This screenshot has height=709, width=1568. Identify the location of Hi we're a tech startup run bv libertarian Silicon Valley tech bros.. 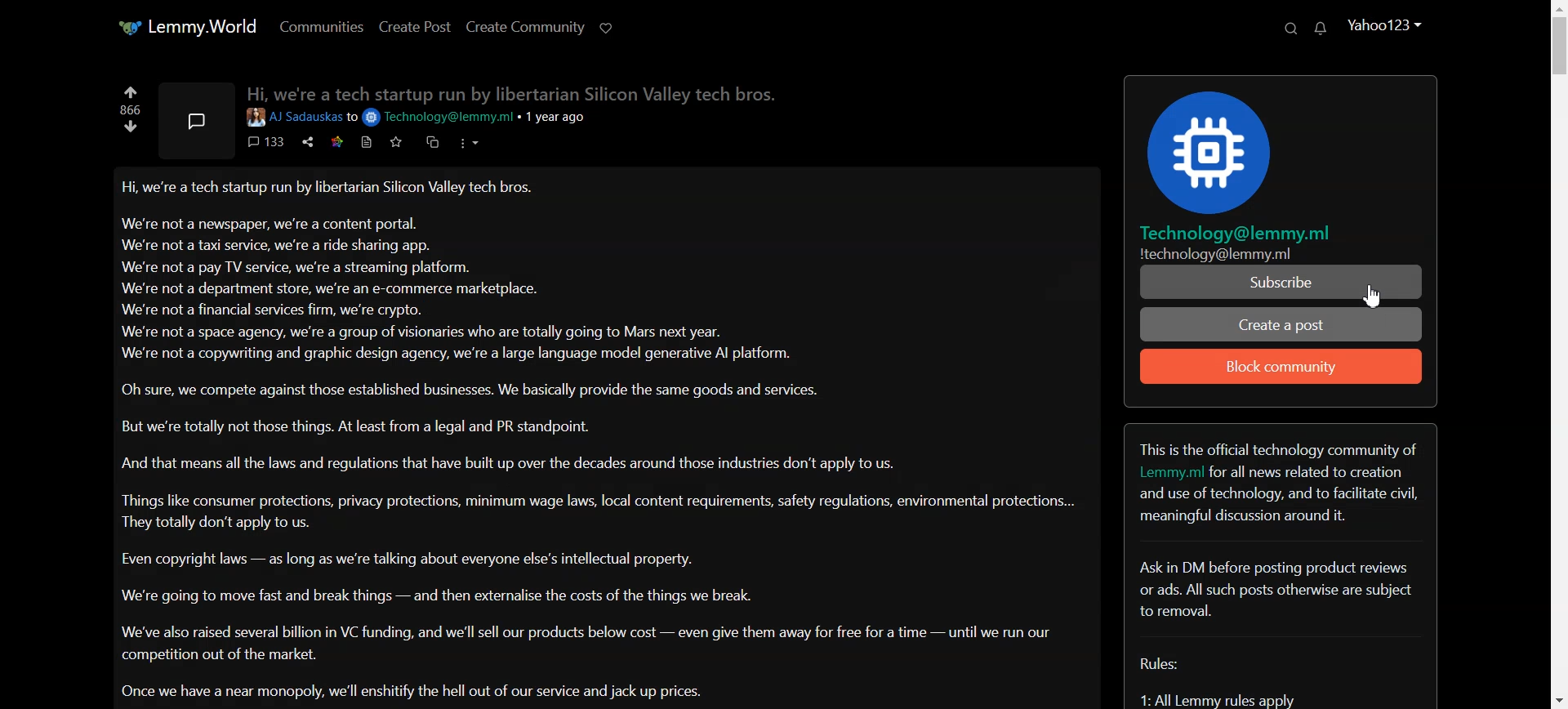
(514, 93).